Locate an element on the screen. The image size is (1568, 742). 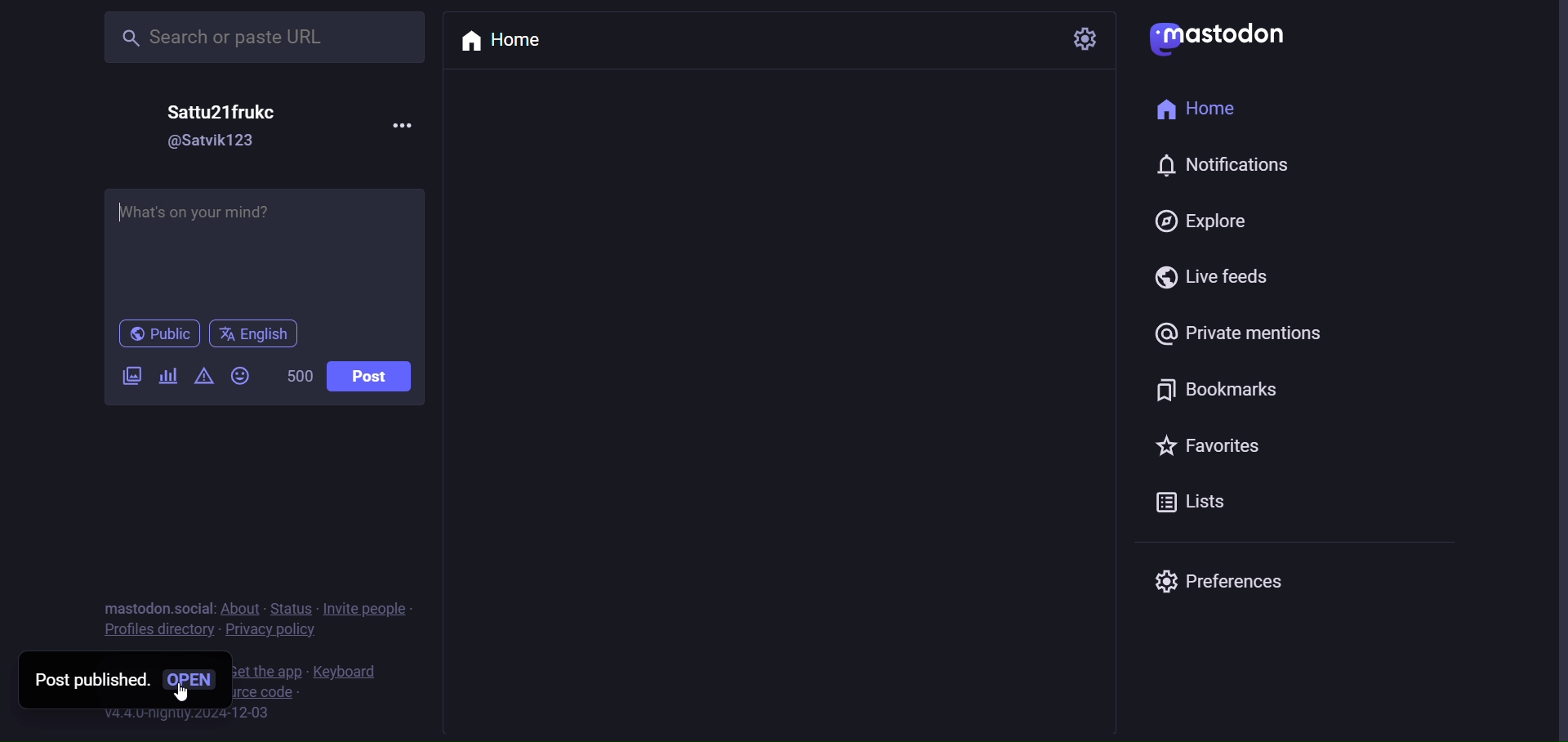
word limit is located at coordinates (299, 377).